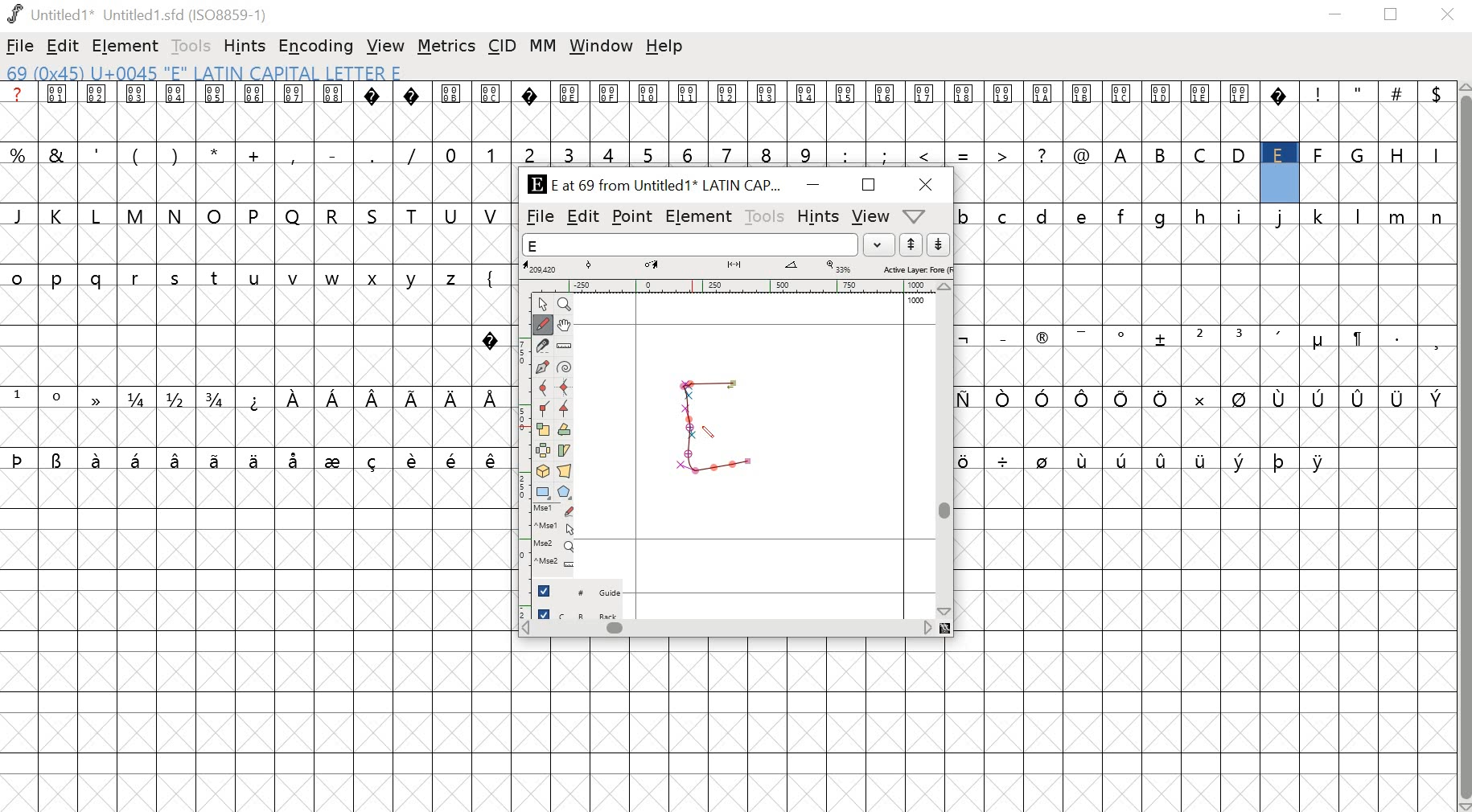 Image resolution: width=1472 pixels, height=812 pixels. What do you see at coordinates (544, 388) in the screenshot?
I see `Curve` at bounding box center [544, 388].